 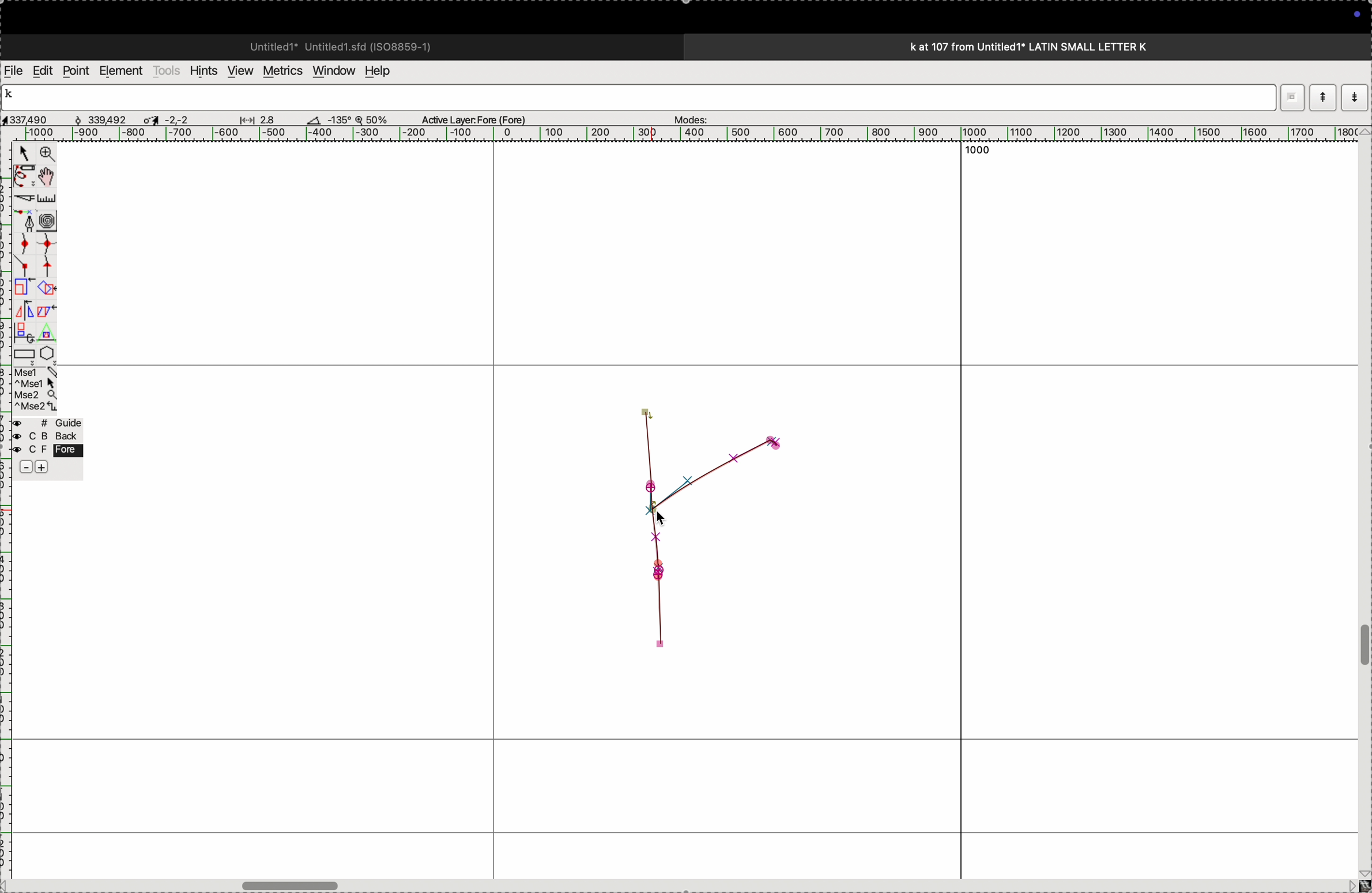 I want to click on rectangle, so click(x=21, y=352).